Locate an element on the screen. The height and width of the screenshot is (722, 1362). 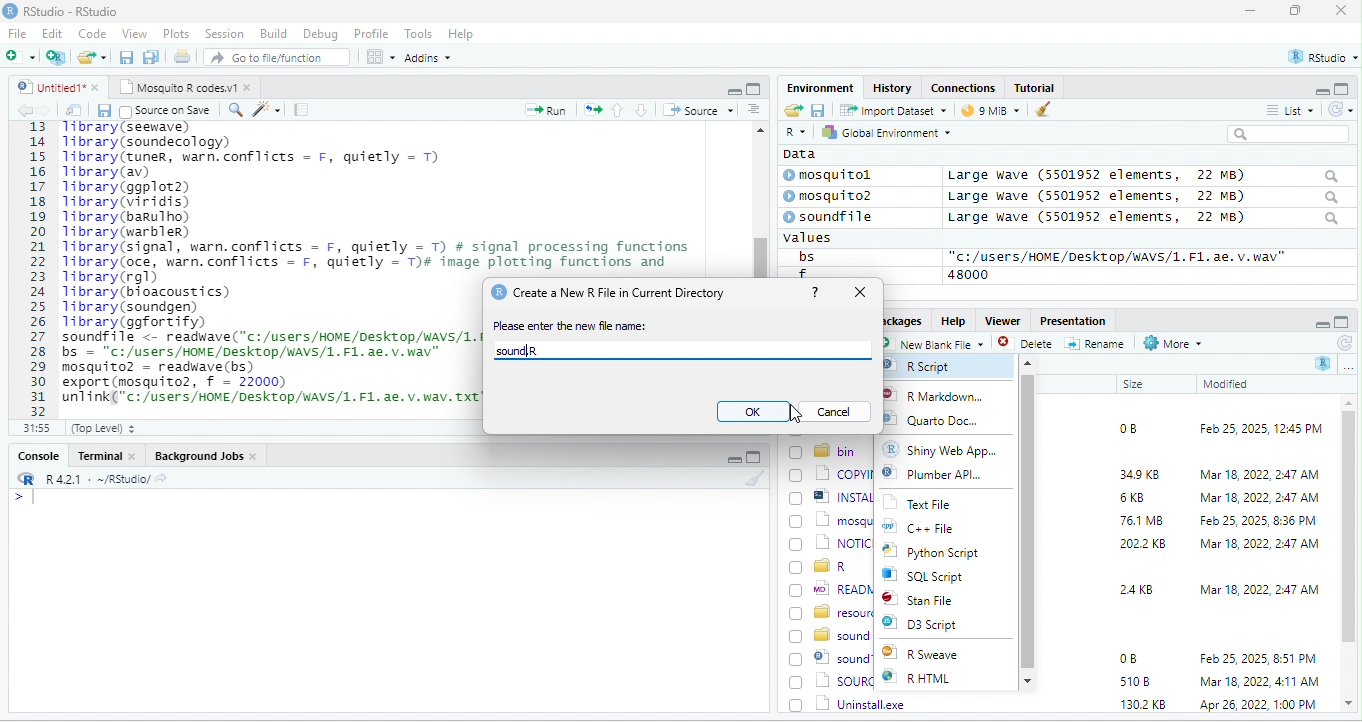
31:55 is located at coordinates (34, 428).